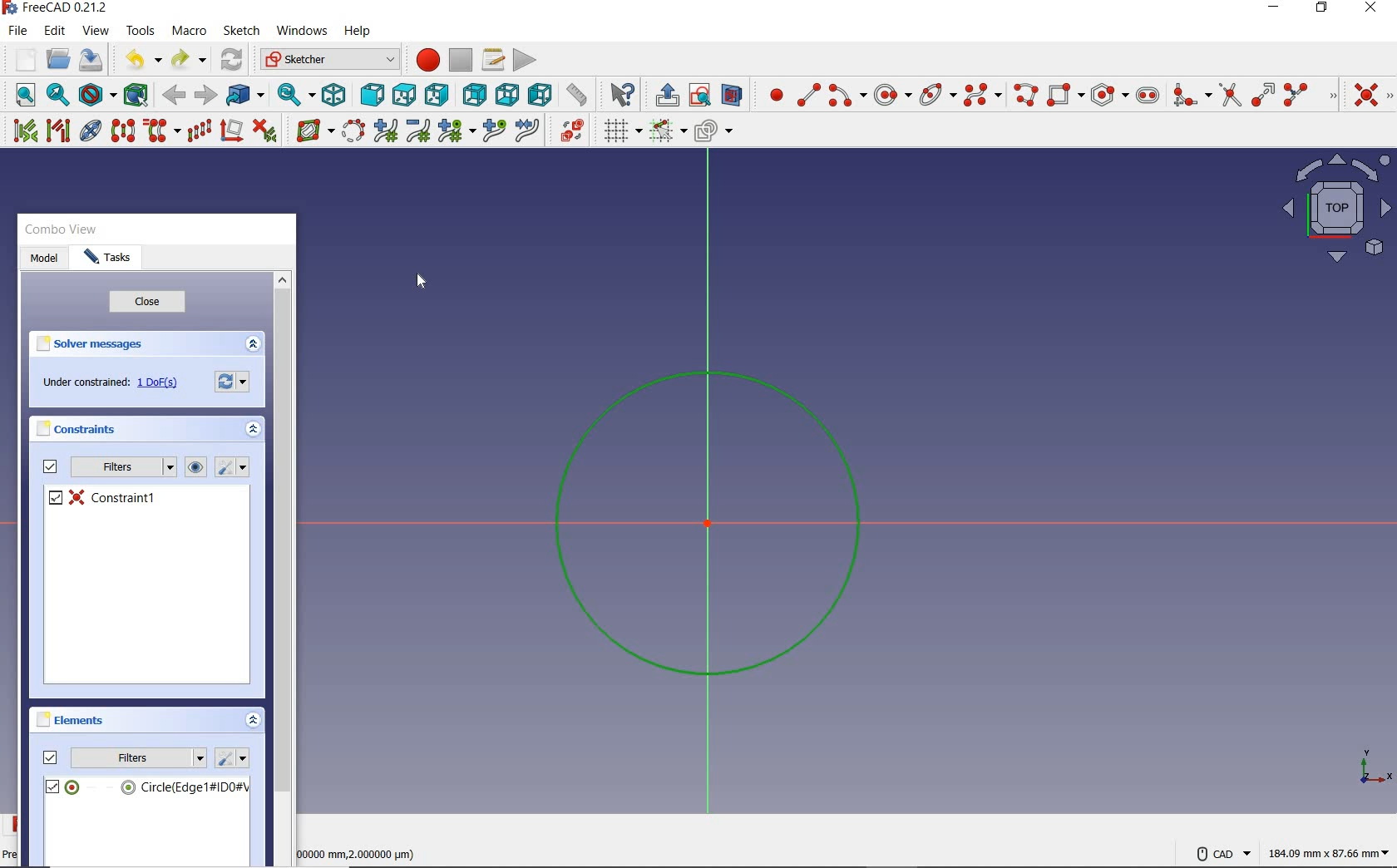  Describe the element at coordinates (231, 59) in the screenshot. I see `reload` at that location.